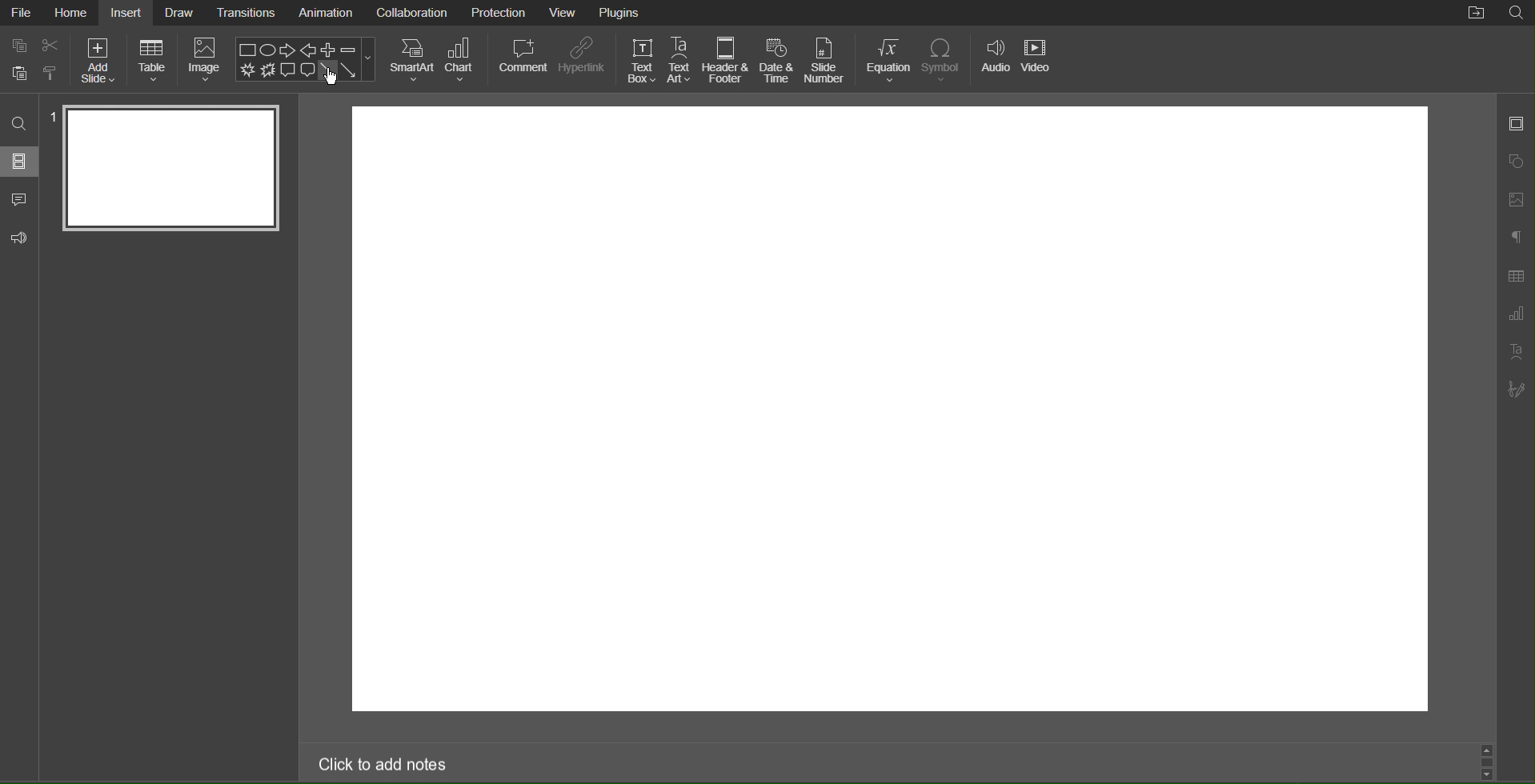 Image resolution: width=1535 pixels, height=784 pixels. What do you see at coordinates (180, 13) in the screenshot?
I see `Draw` at bounding box center [180, 13].